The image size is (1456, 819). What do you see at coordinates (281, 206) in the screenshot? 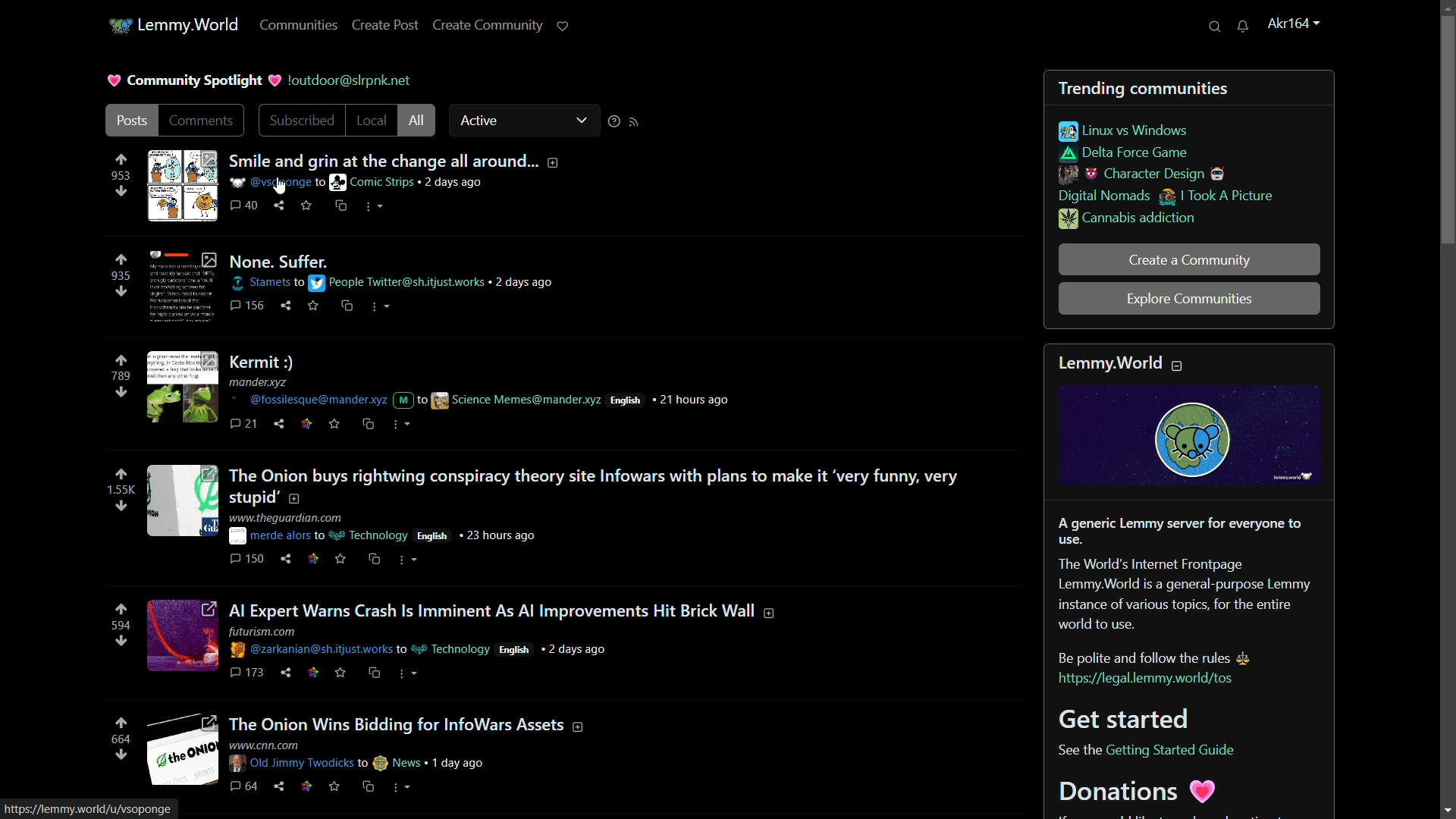
I see `share` at bounding box center [281, 206].